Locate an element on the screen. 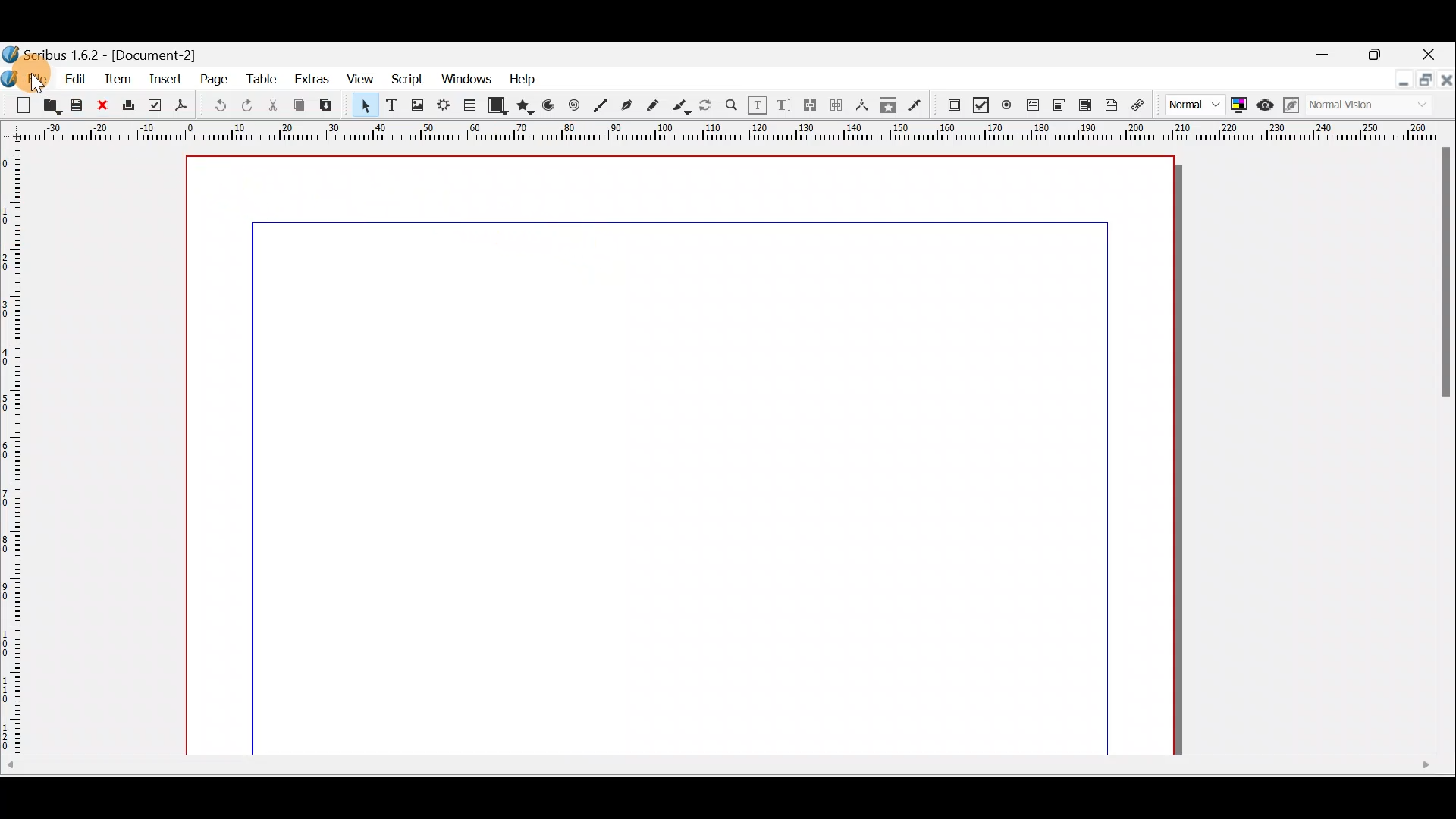 This screenshot has height=819, width=1456. Save is located at coordinates (75, 105).